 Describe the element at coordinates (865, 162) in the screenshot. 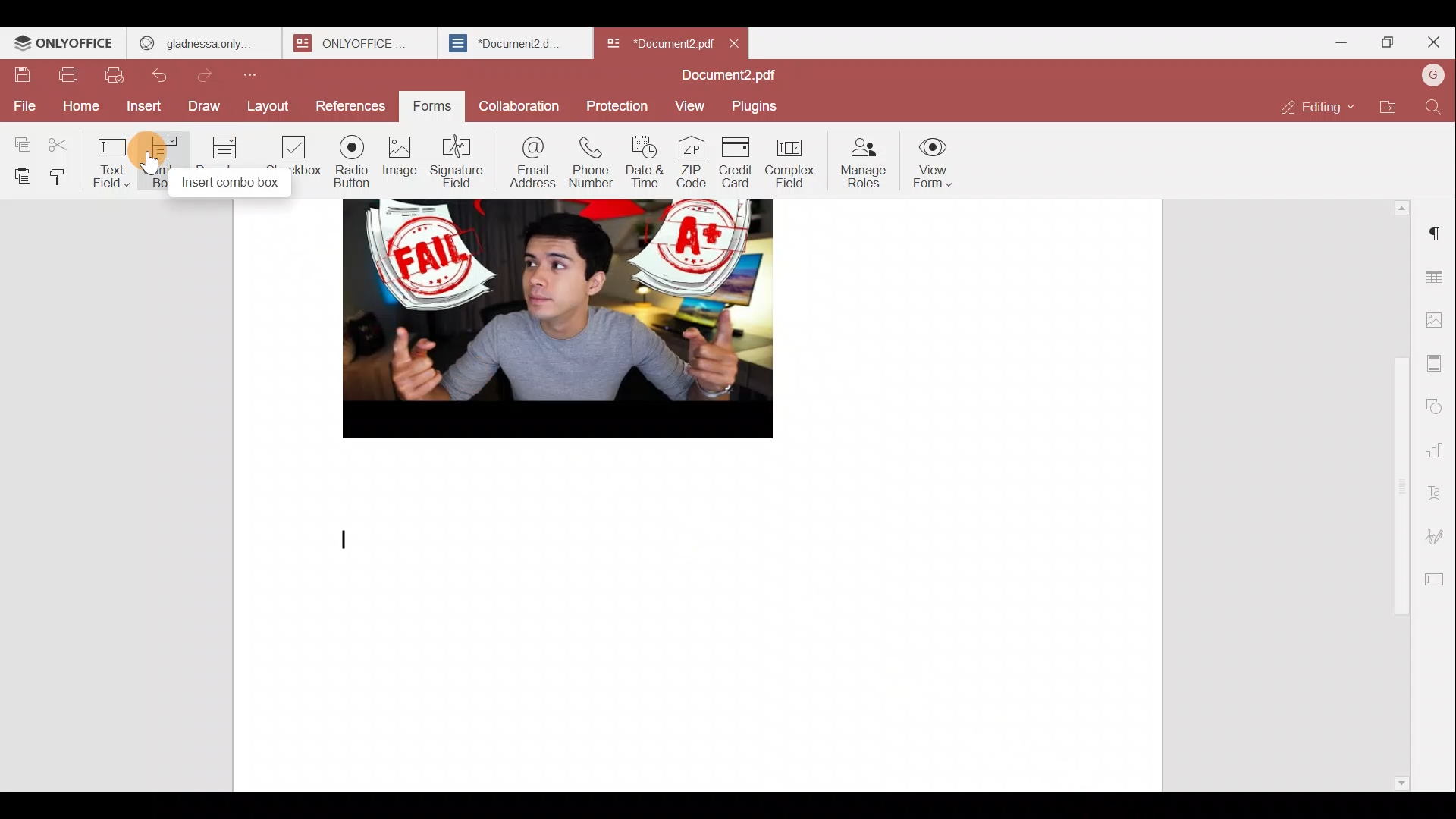

I see `Manage roles` at that location.